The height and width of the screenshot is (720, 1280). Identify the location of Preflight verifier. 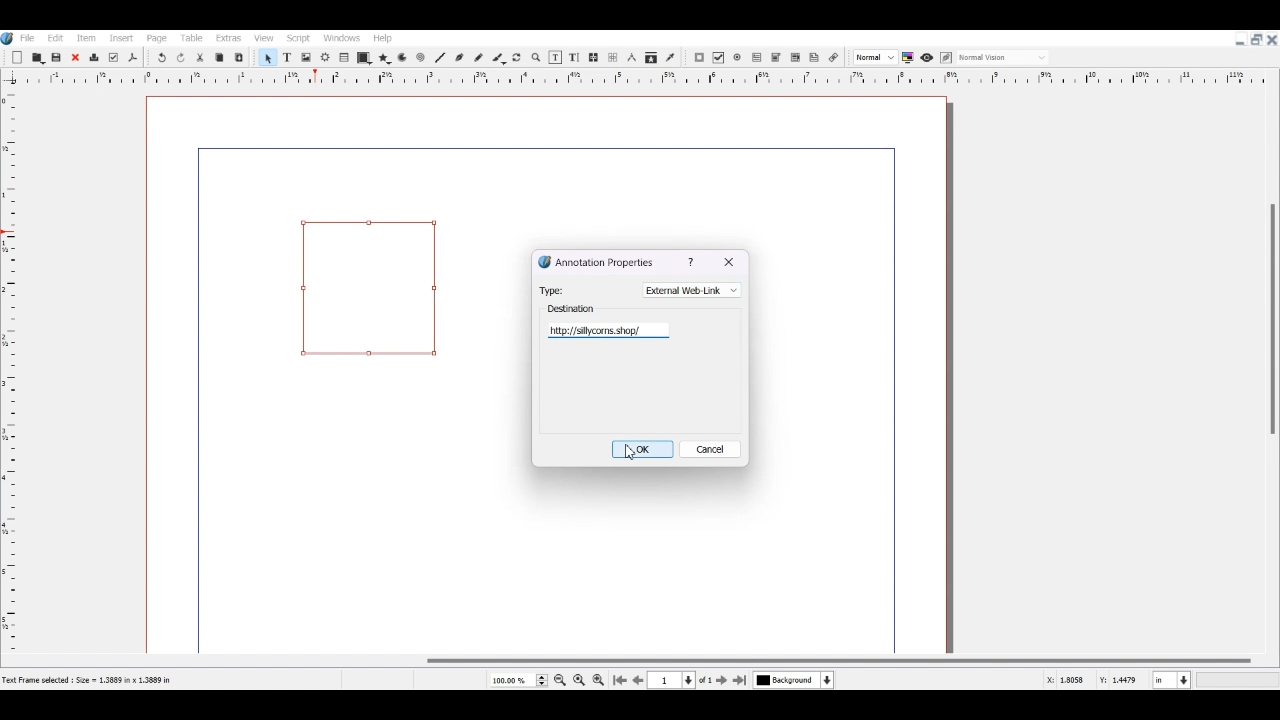
(113, 58).